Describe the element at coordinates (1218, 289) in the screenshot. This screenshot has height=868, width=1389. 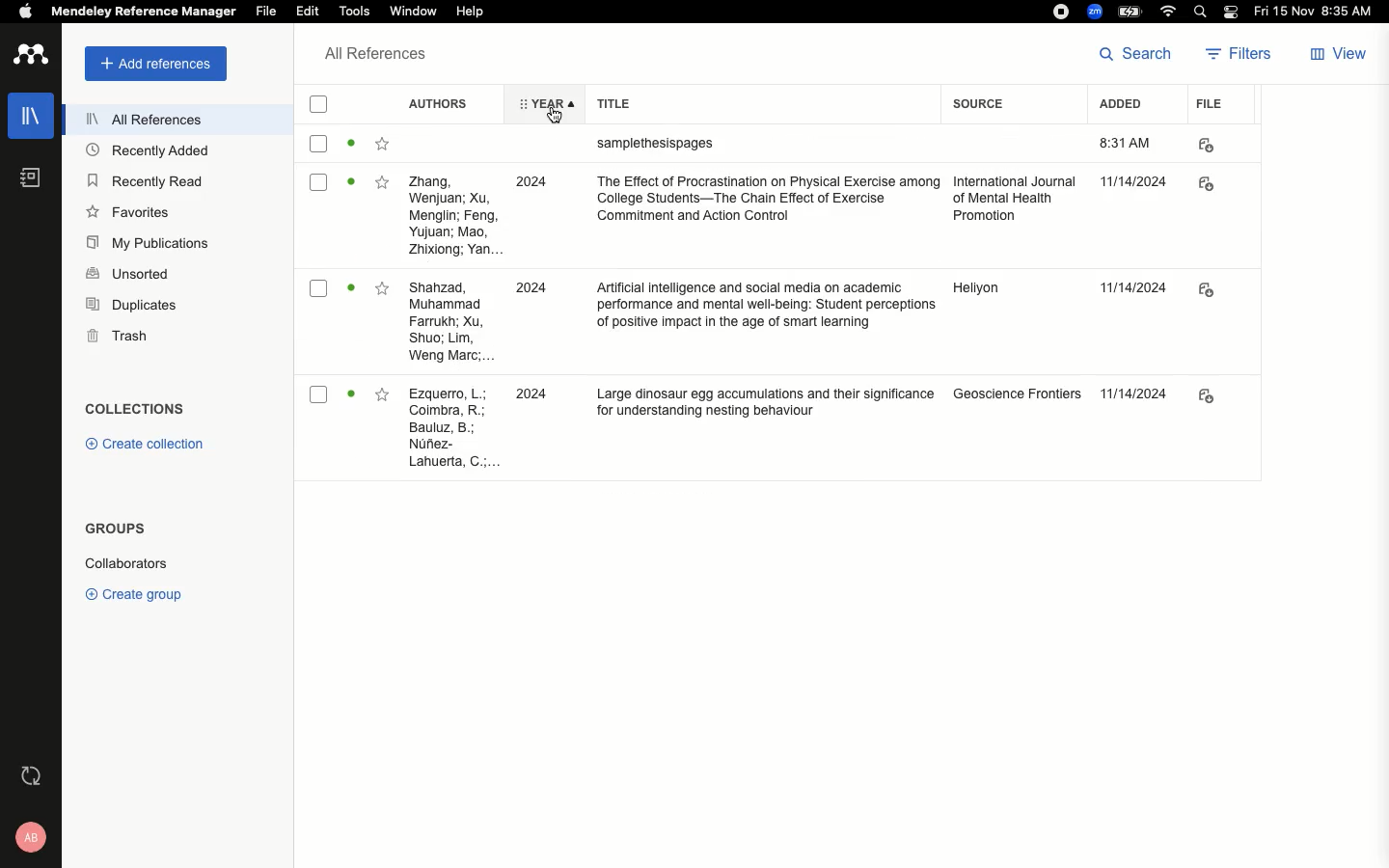
I see `file type` at that location.